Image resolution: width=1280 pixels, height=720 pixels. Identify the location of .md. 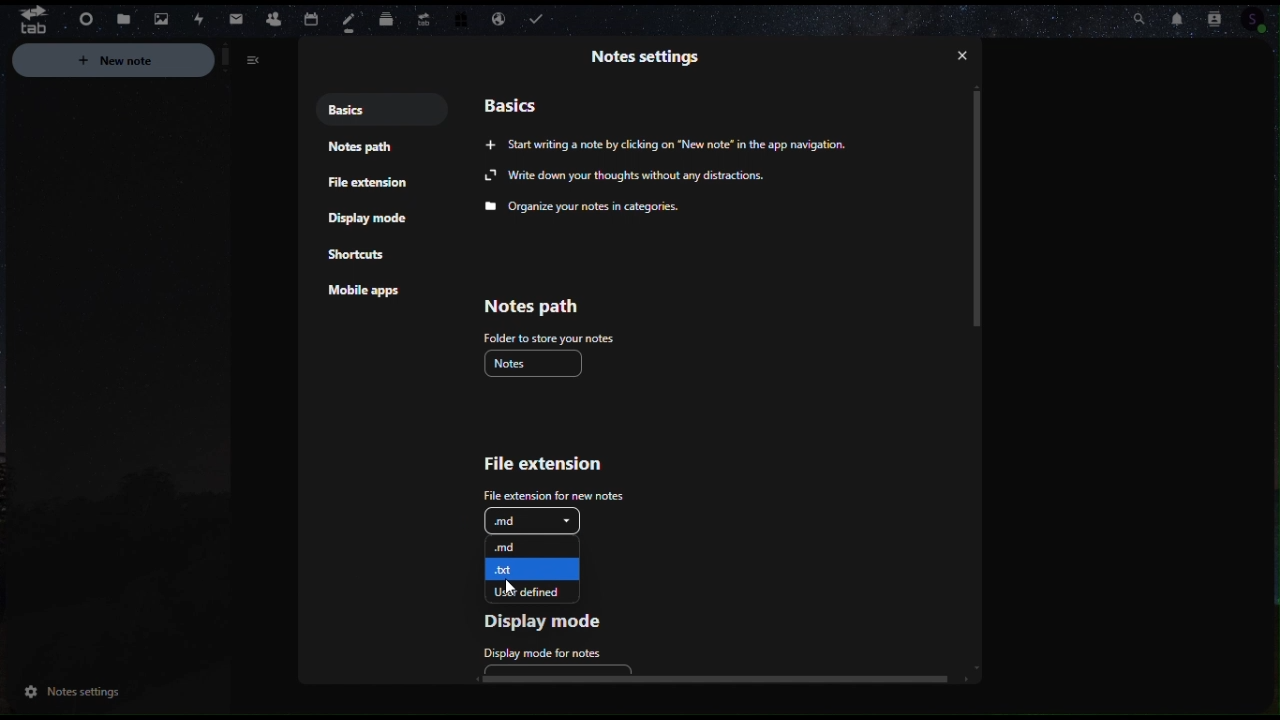
(534, 545).